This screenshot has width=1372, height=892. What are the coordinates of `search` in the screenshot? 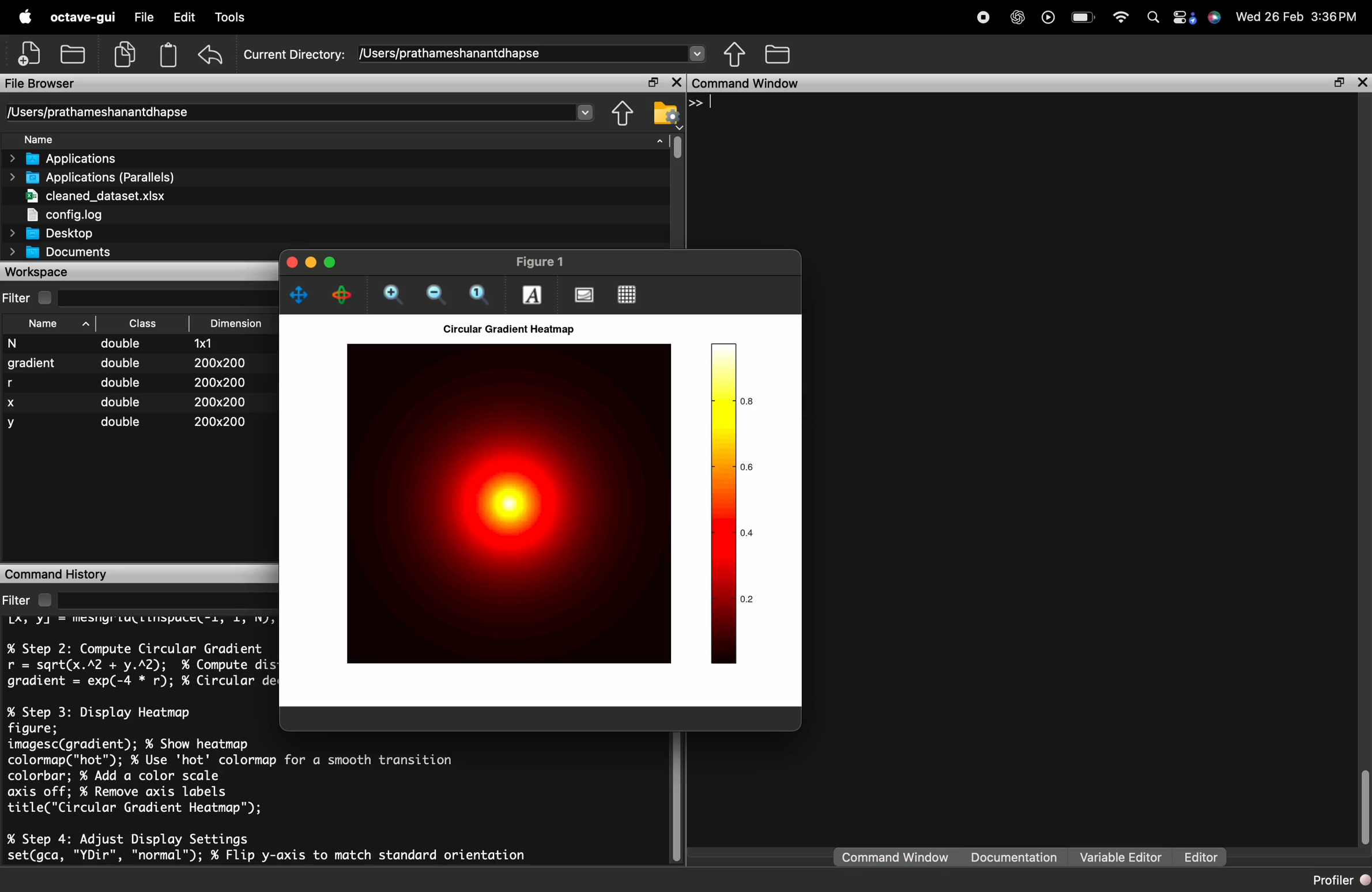 It's located at (1155, 18).